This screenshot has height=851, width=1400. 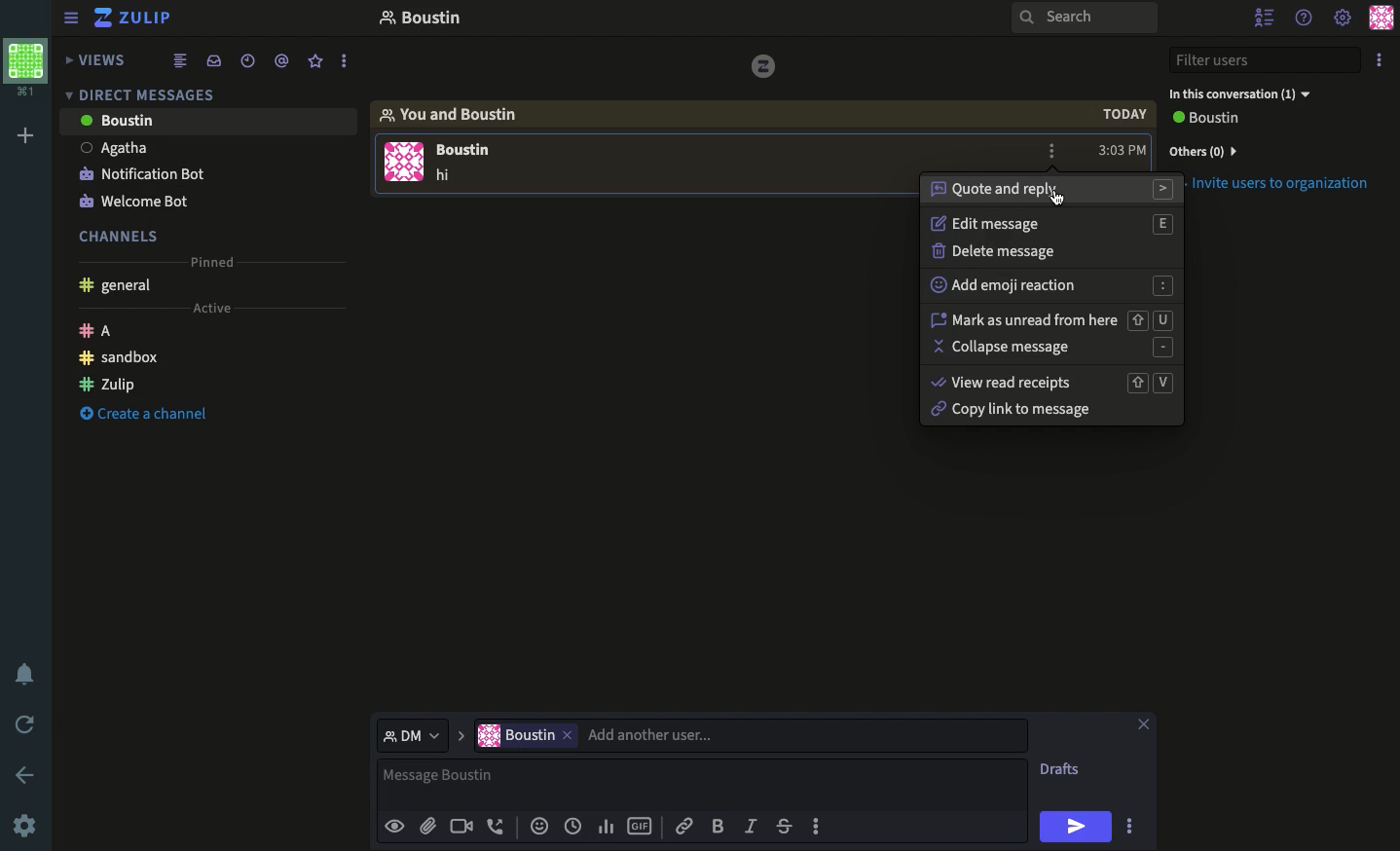 I want to click on Invite users to organization, so click(x=1273, y=150).